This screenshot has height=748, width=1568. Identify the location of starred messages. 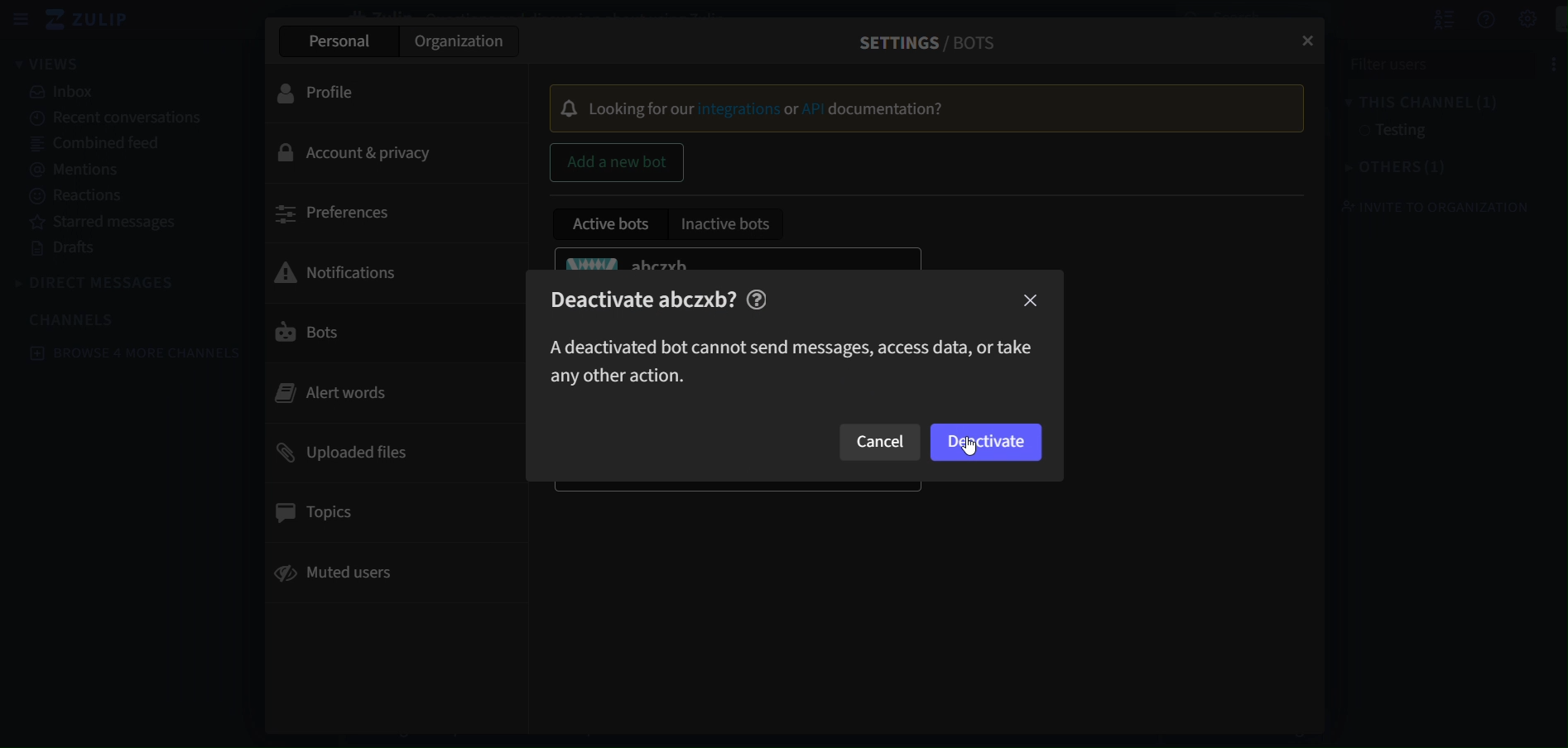
(106, 223).